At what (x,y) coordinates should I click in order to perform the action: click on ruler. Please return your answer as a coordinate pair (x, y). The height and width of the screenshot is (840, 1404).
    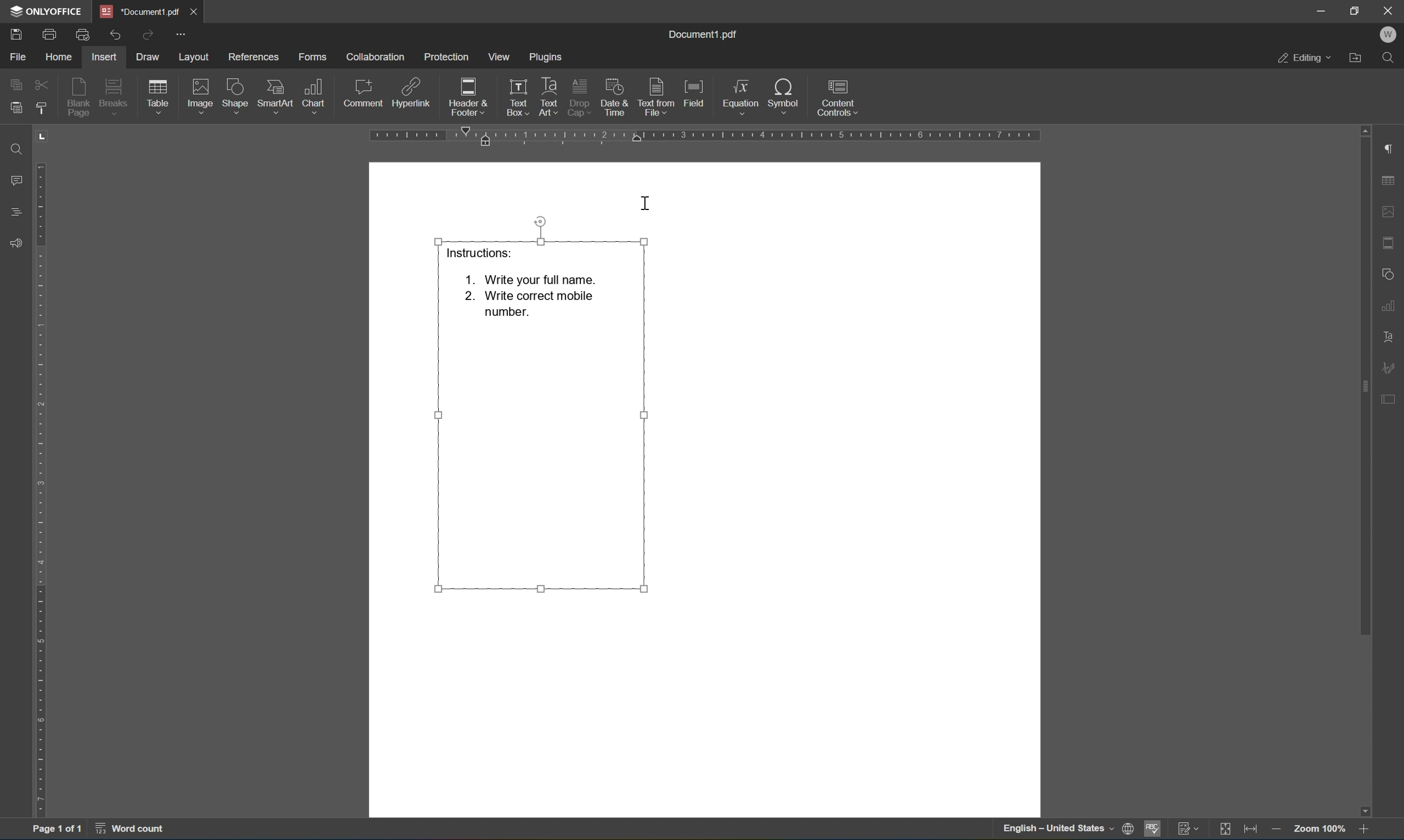
    Looking at the image, I should click on (703, 136).